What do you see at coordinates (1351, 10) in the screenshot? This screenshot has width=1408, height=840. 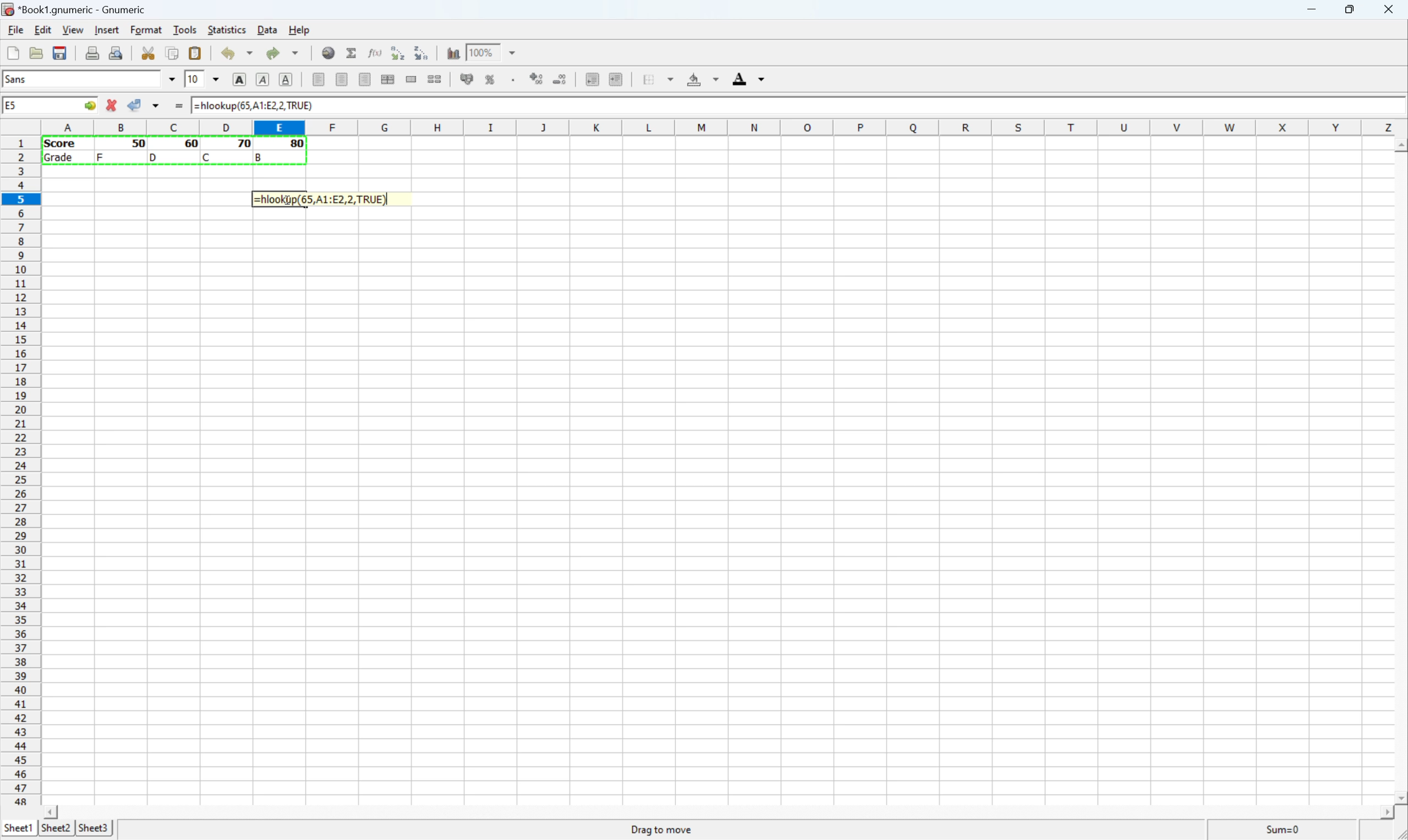 I see `Restore Down` at bounding box center [1351, 10].